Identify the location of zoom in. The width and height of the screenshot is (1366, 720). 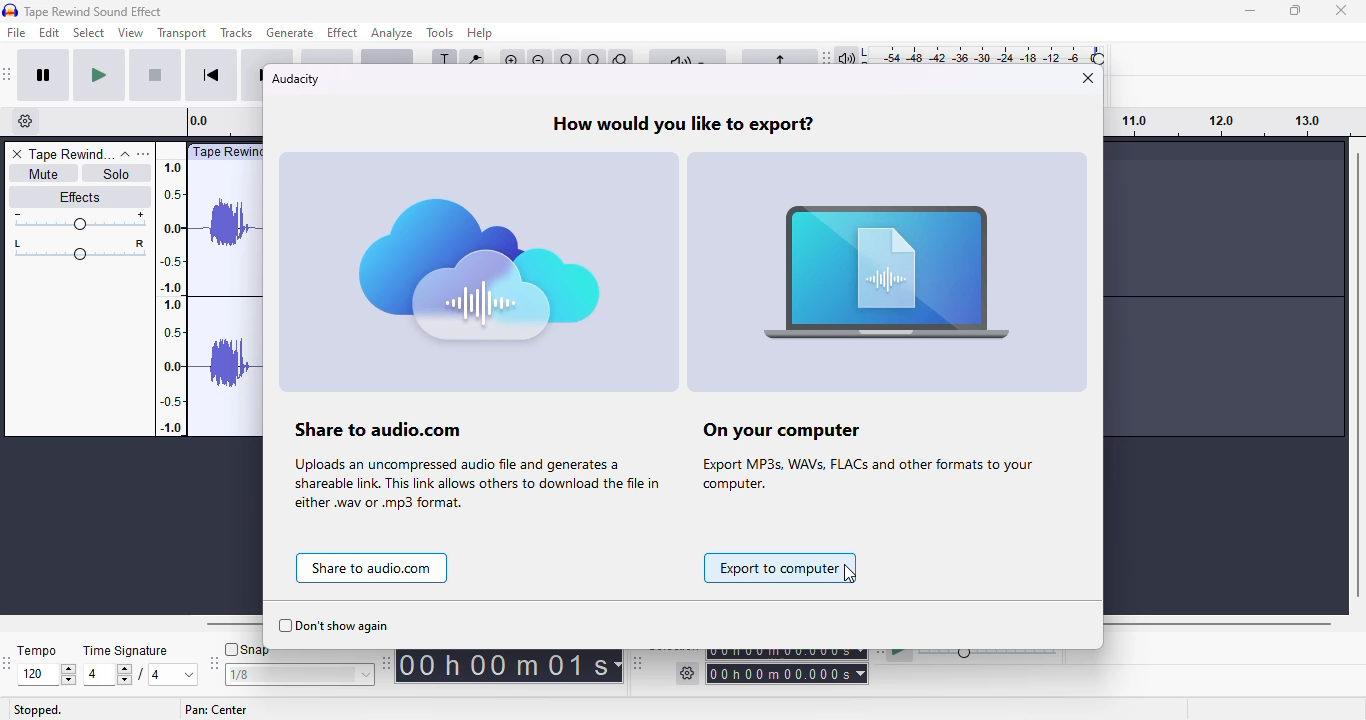
(512, 61).